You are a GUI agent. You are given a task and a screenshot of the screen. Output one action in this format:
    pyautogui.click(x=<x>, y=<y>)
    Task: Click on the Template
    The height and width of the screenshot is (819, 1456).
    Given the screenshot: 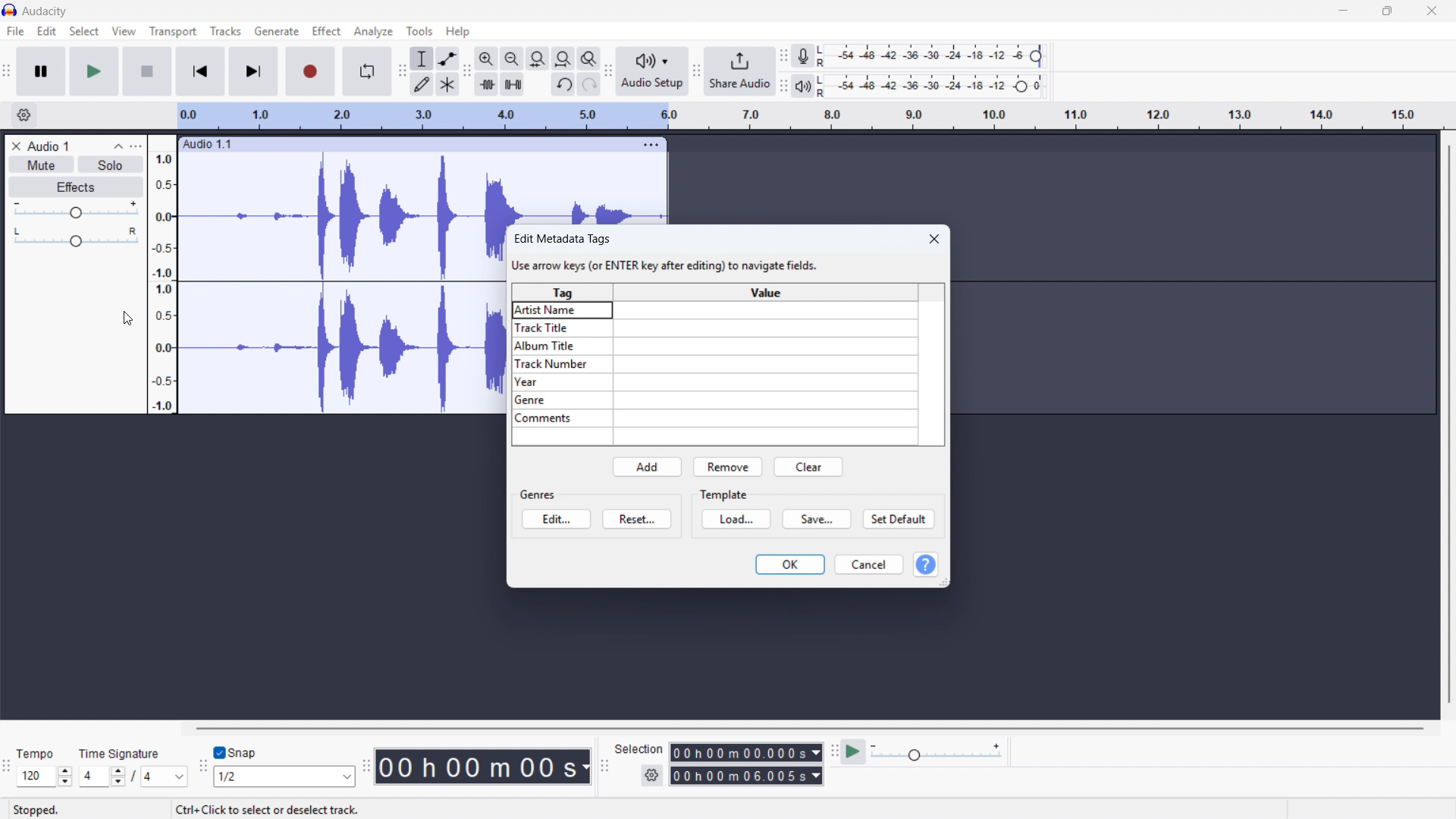 What is the action you would take?
    pyautogui.click(x=725, y=495)
    